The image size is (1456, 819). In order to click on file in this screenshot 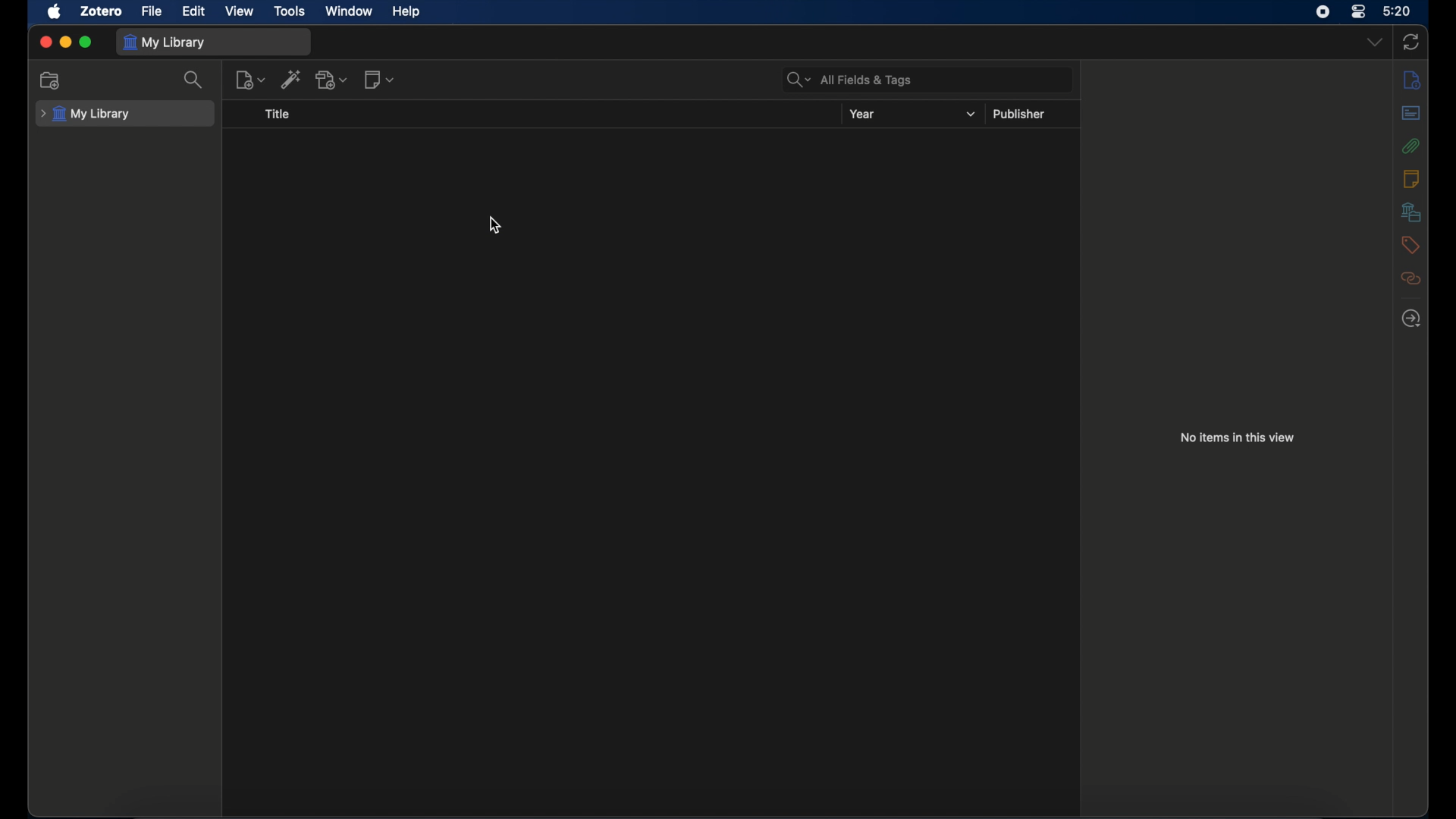, I will do `click(152, 11)`.